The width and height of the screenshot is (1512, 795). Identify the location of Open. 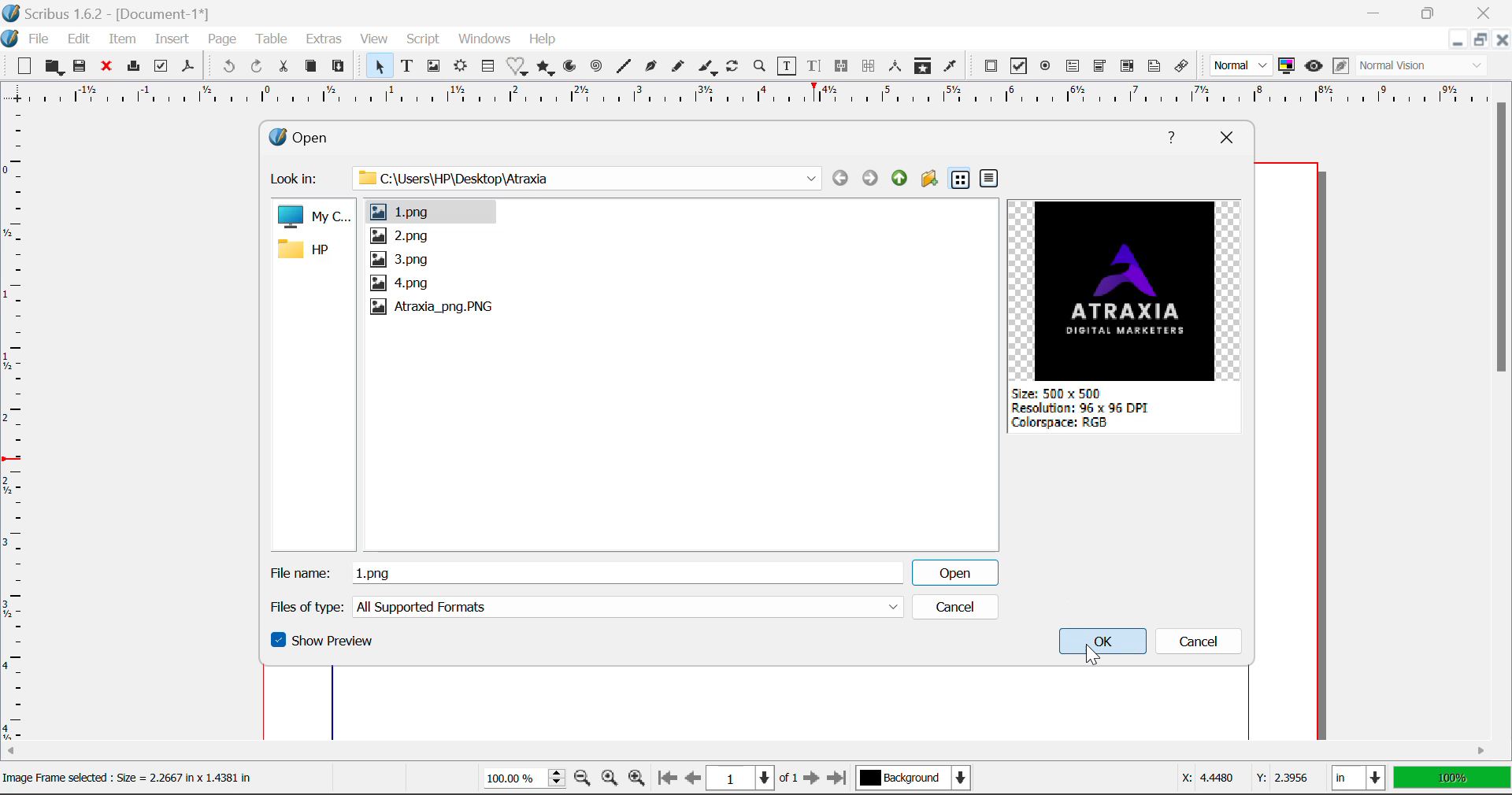
(954, 571).